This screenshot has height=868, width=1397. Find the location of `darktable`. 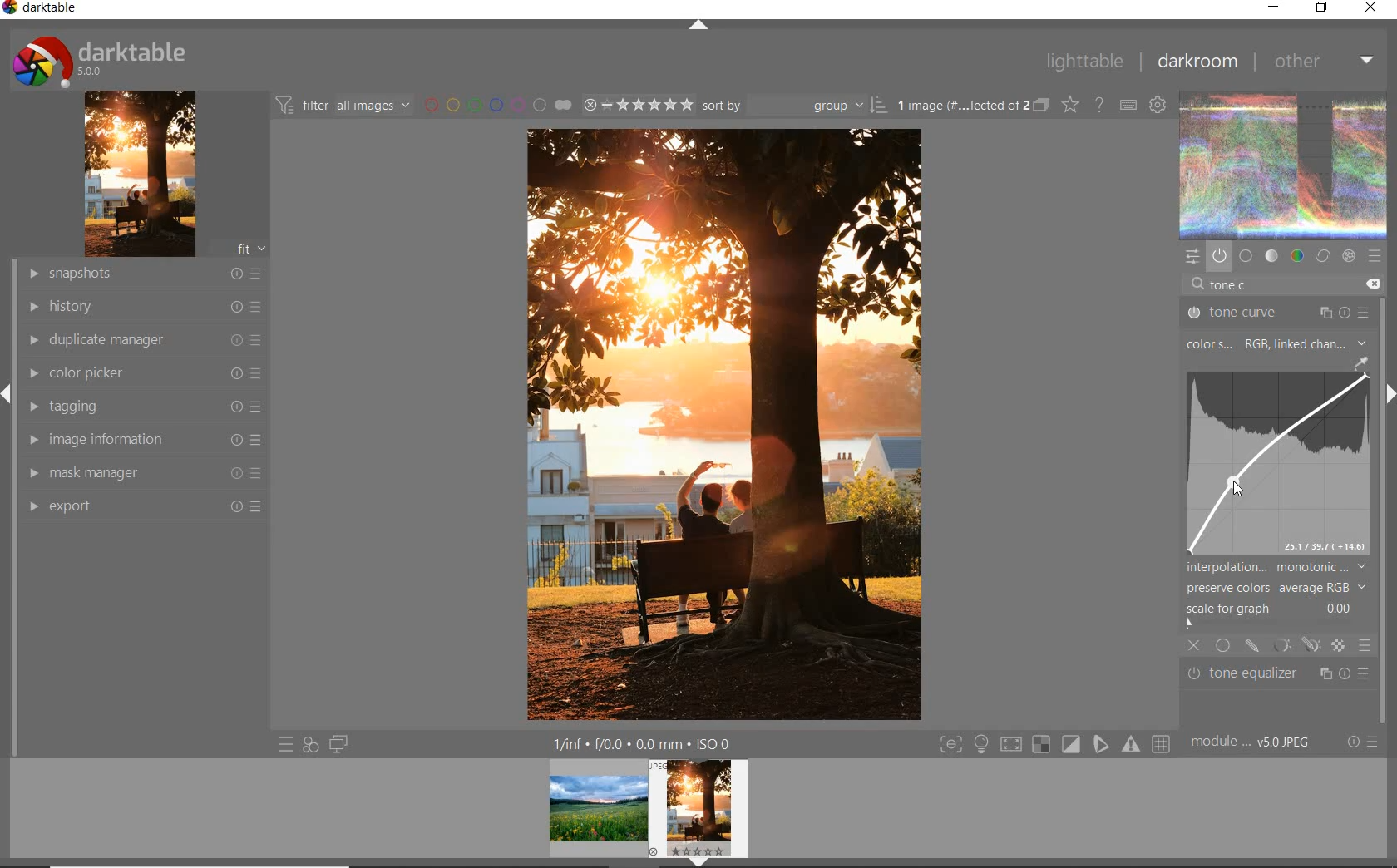

darktable is located at coordinates (99, 59).